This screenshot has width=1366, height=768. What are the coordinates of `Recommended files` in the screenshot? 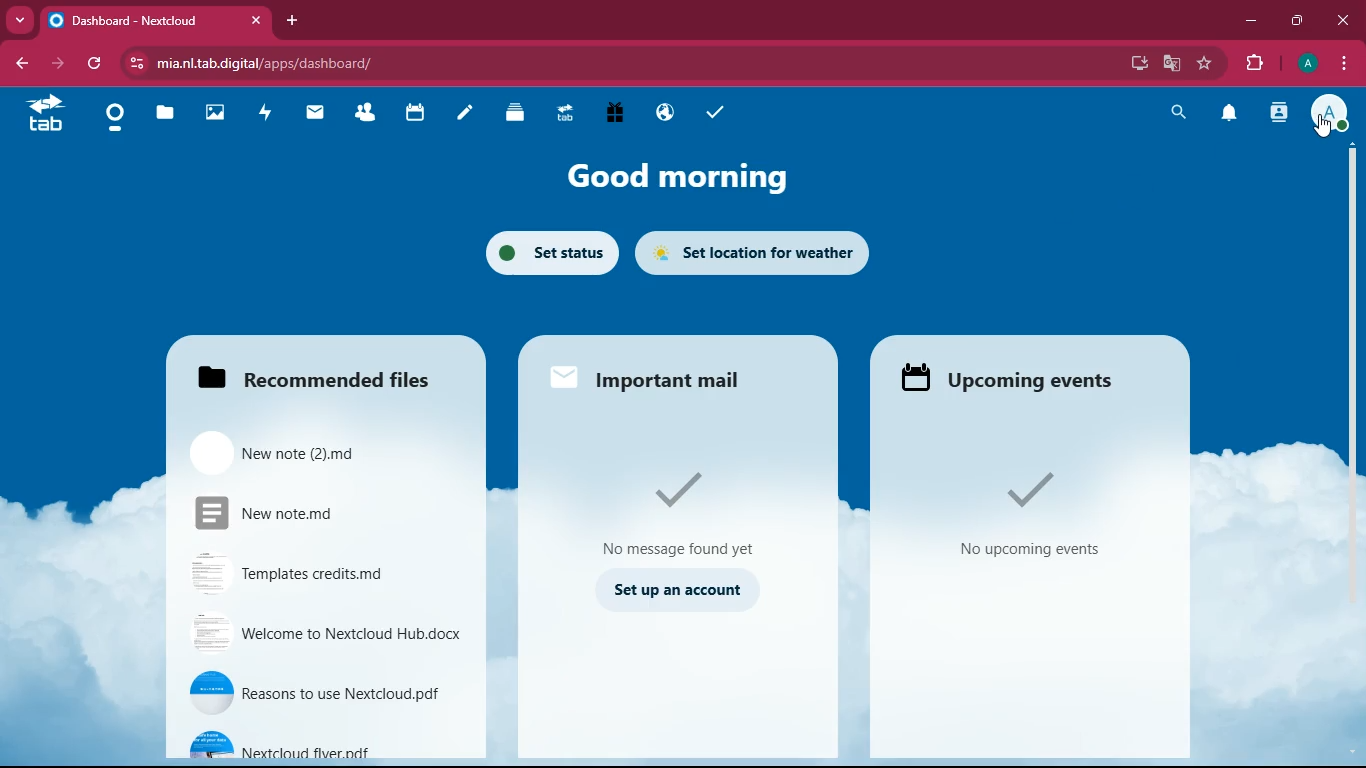 It's located at (318, 378).